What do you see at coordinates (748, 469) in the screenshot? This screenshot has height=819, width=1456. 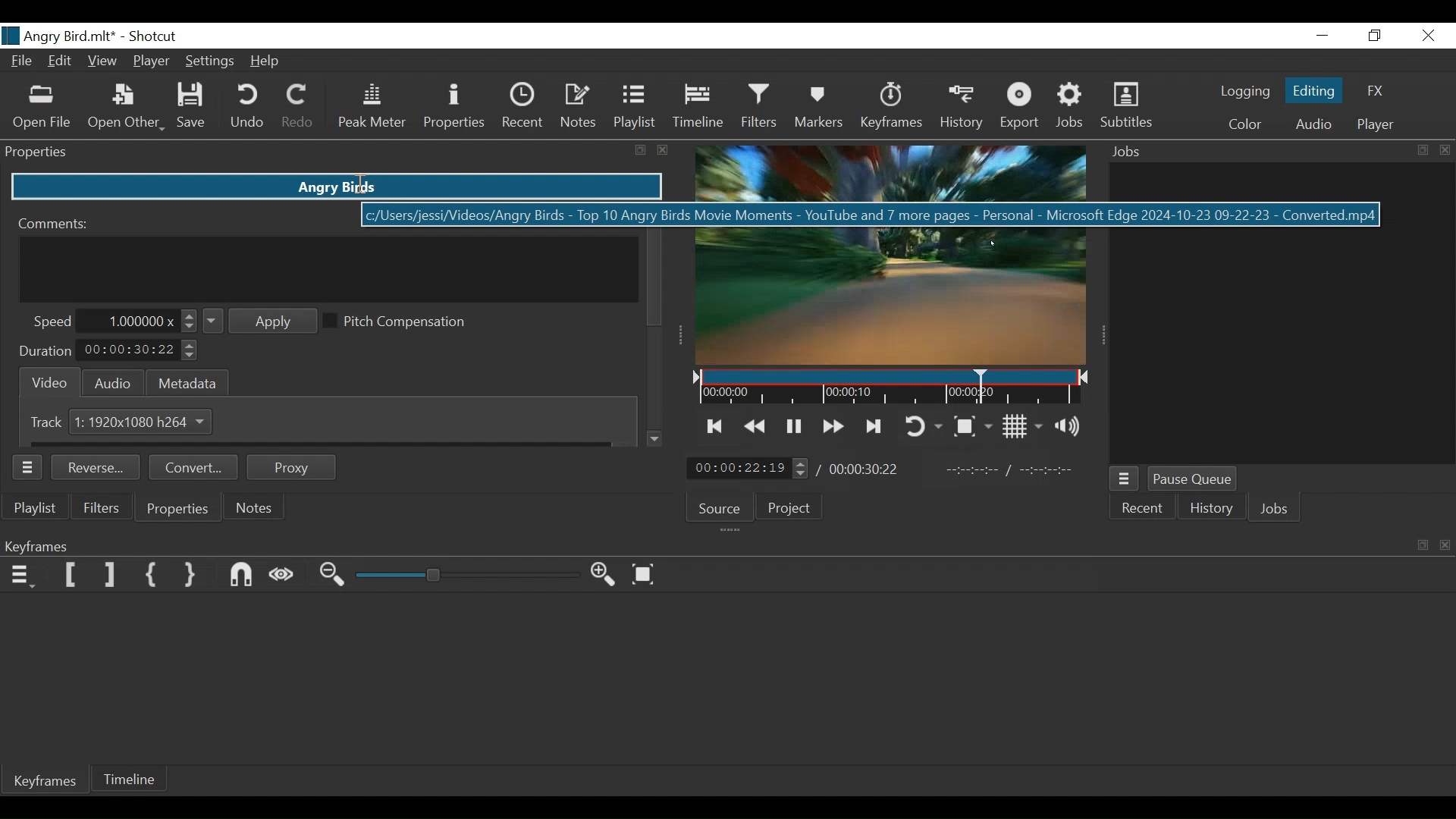 I see `Current positio` at bounding box center [748, 469].